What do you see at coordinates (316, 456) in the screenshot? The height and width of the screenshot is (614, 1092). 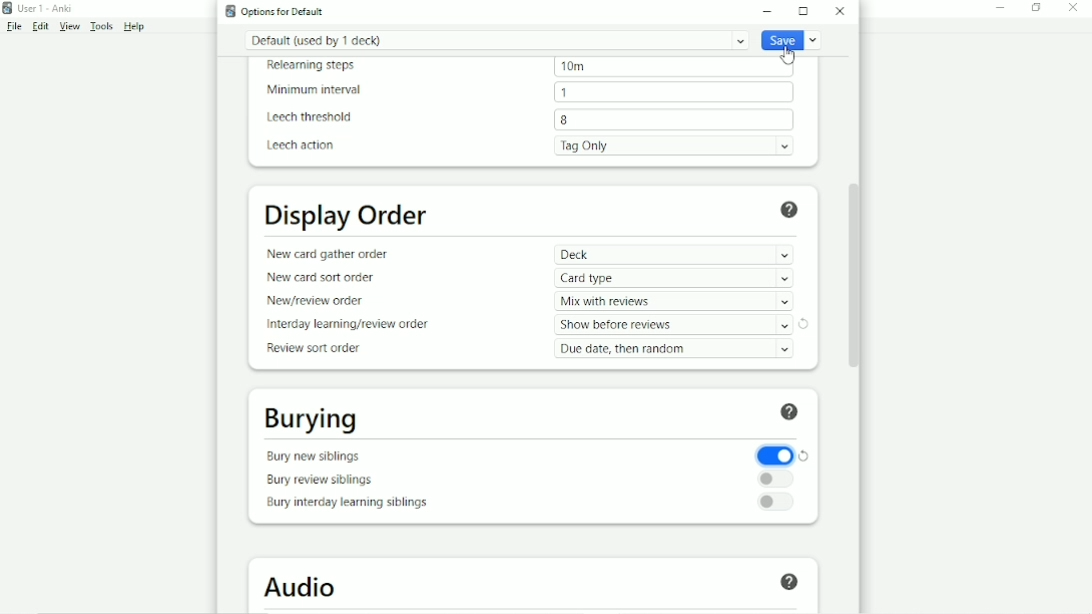 I see `Bury new siblings` at bounding box center [316, 456].